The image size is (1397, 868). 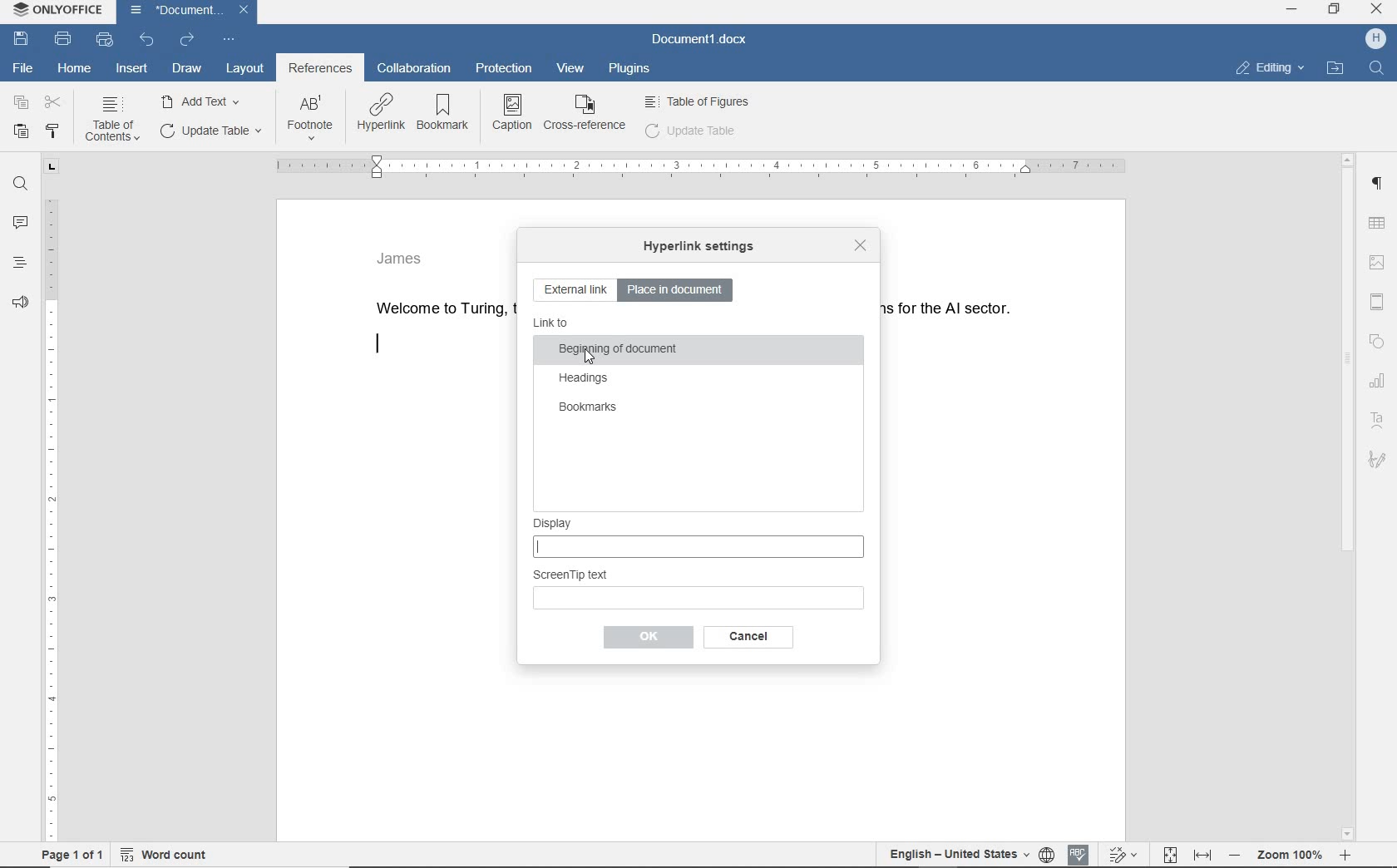 I want to click on Page 1 of 1, so click(x=67, y=856).